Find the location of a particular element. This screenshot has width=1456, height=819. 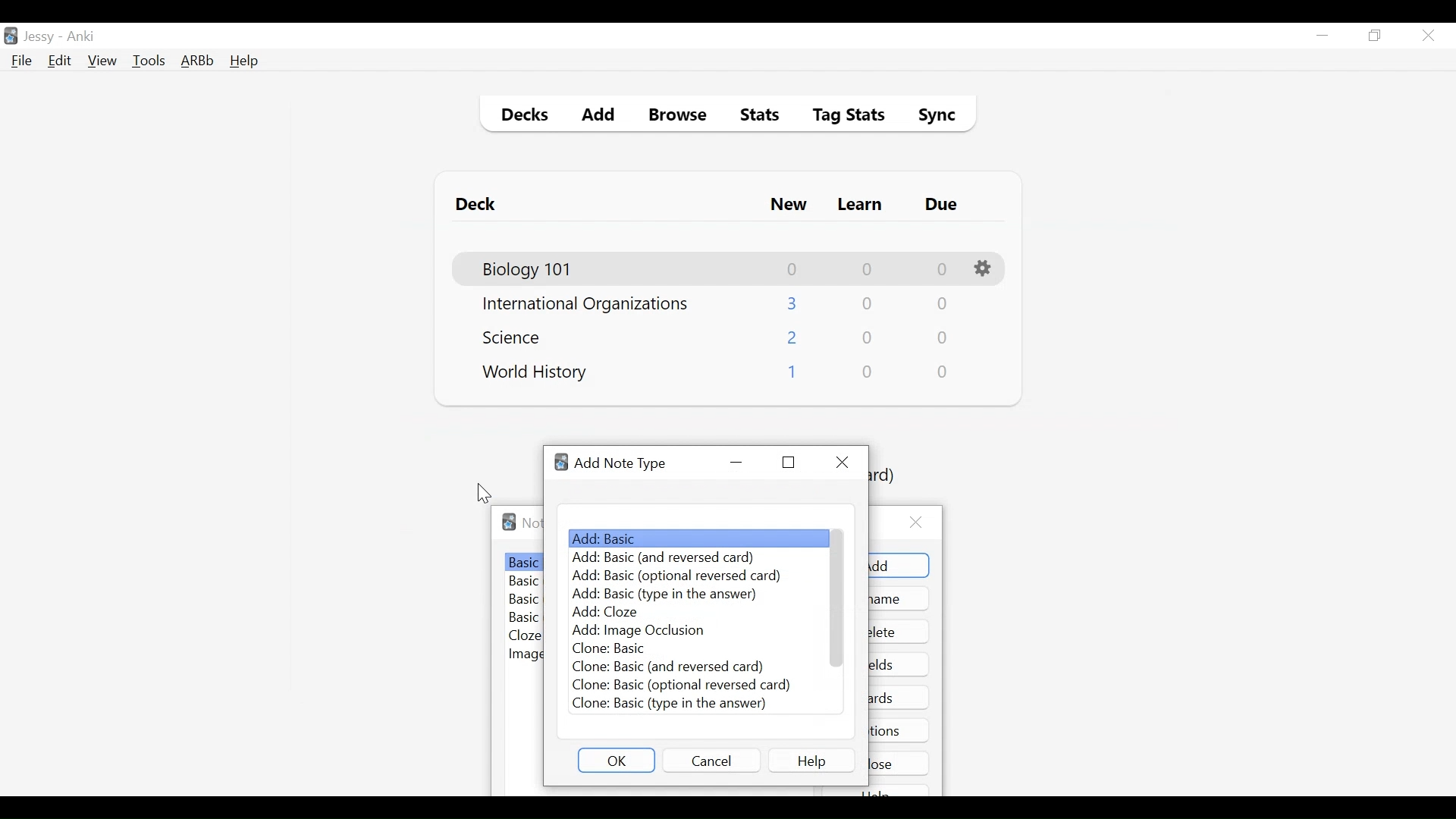

Add Basic (type in the answer) is located at coordinates (667, 595).